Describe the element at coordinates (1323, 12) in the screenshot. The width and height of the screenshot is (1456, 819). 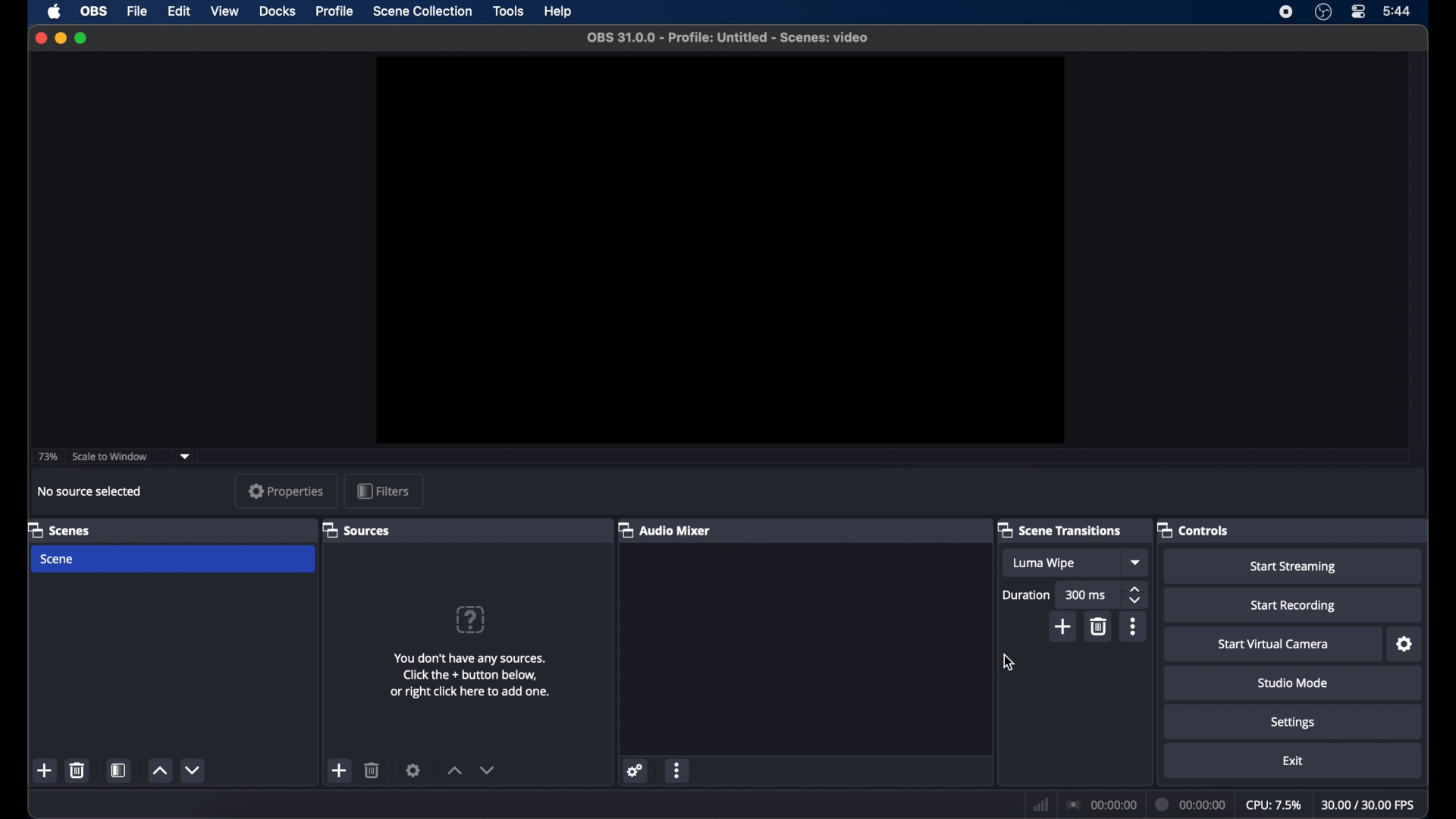
I see `obs studio` at that location.